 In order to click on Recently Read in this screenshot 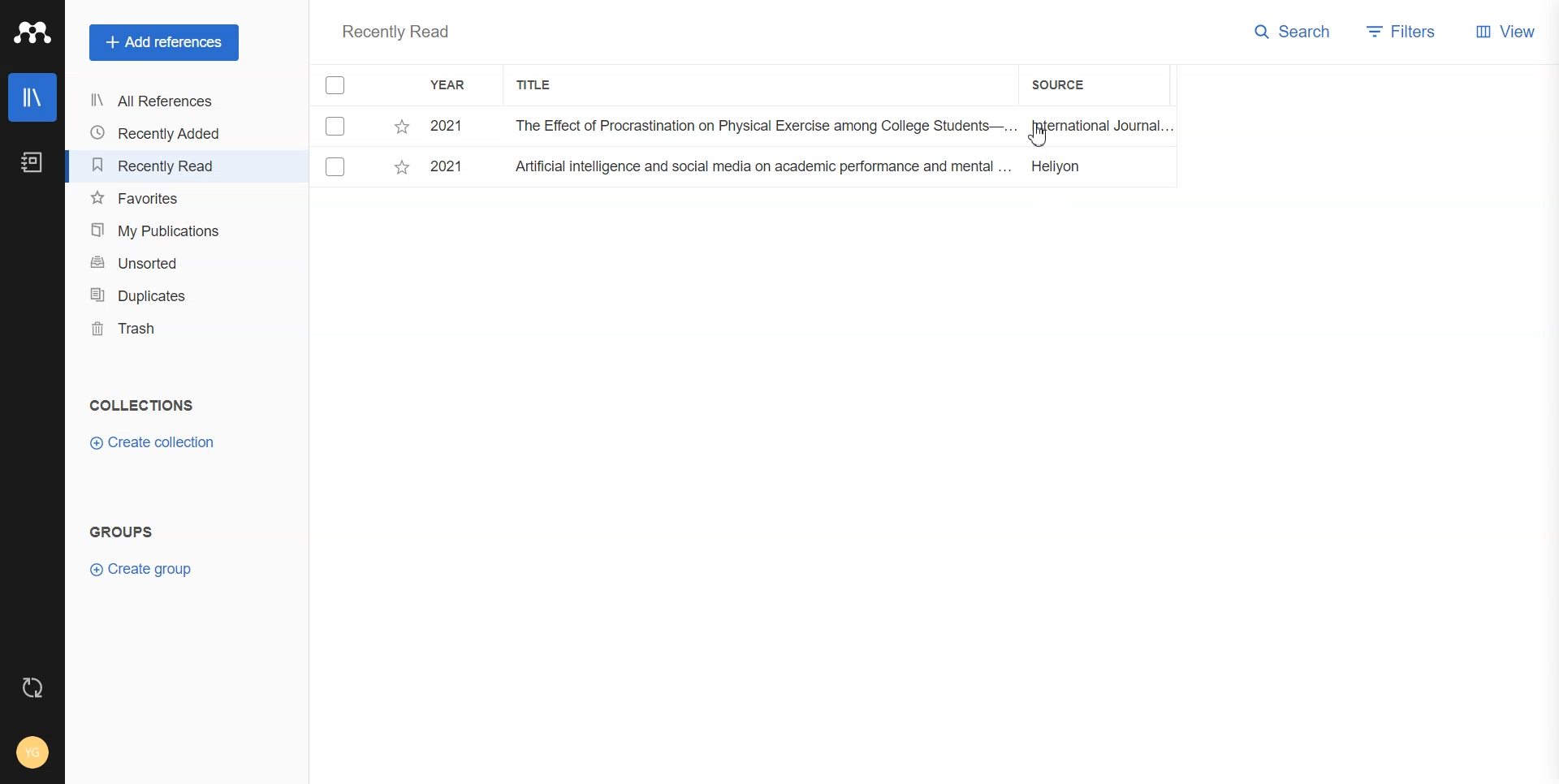, I will do `click(158, 166)`.